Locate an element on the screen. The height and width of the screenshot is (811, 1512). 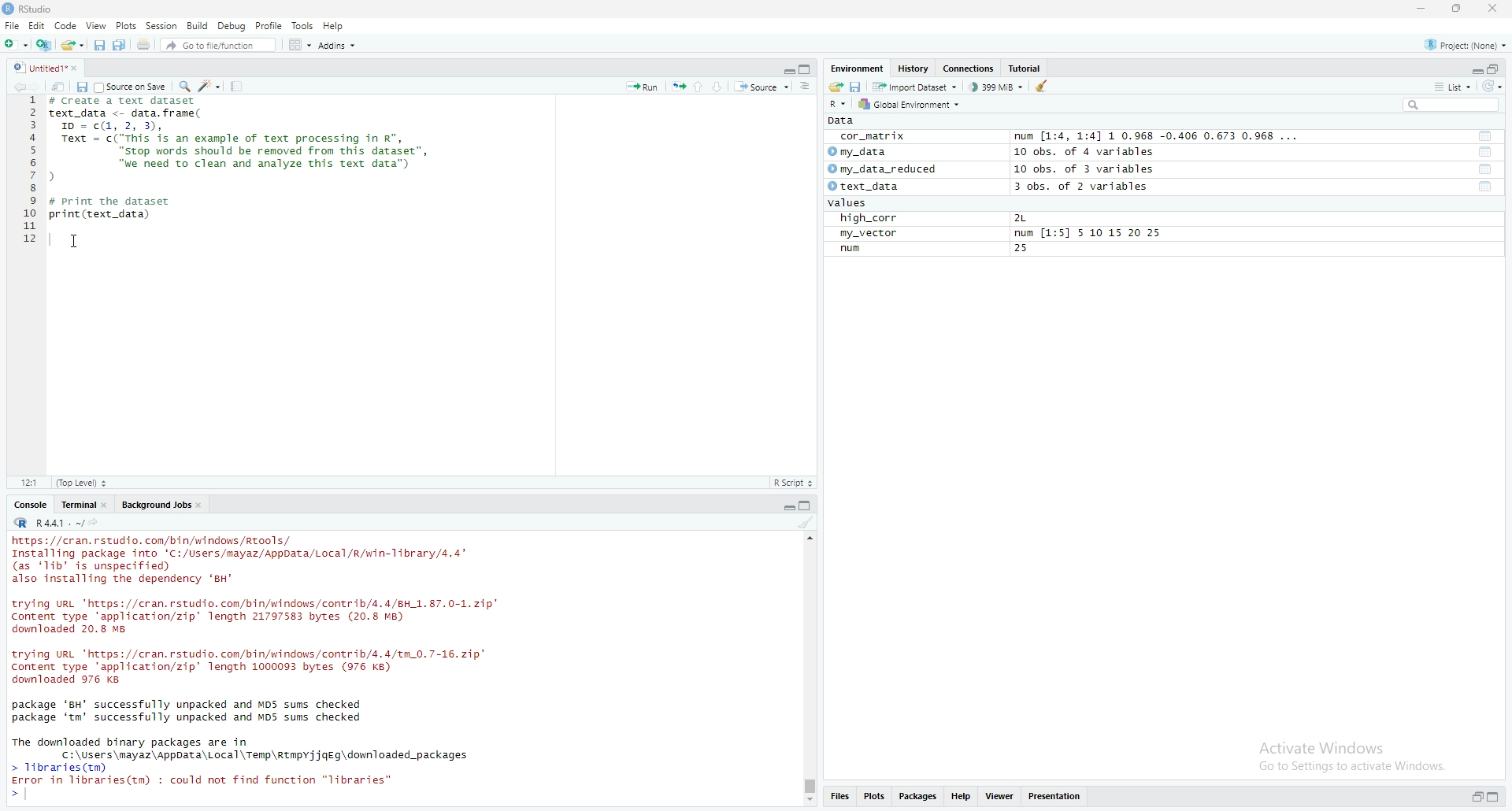
plots is located at coordinates (875, 797).